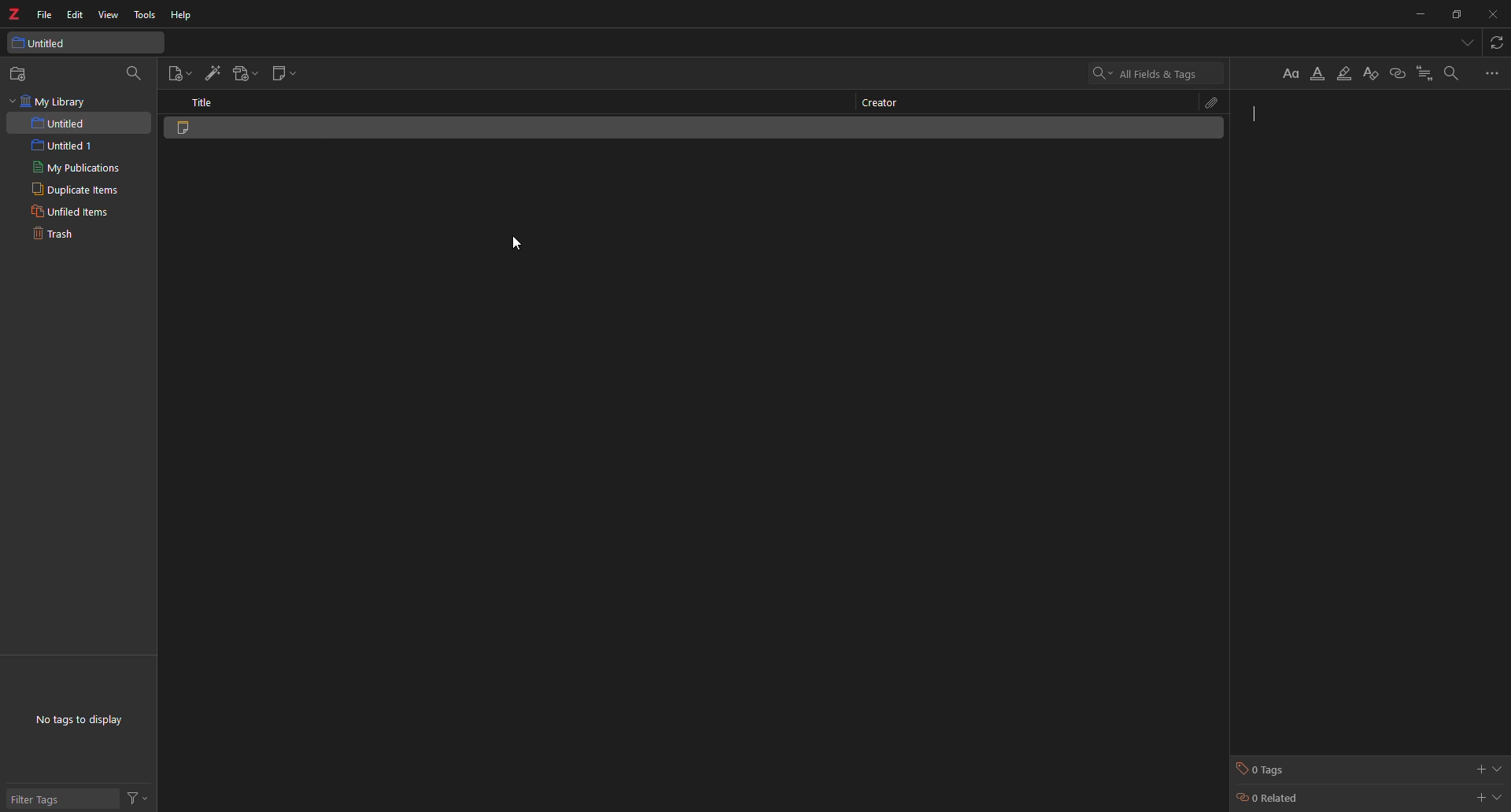  What do you see at coordinates (1414, 16) in the screenshot?
I see `minimize` at bounding box center [1414, 16].